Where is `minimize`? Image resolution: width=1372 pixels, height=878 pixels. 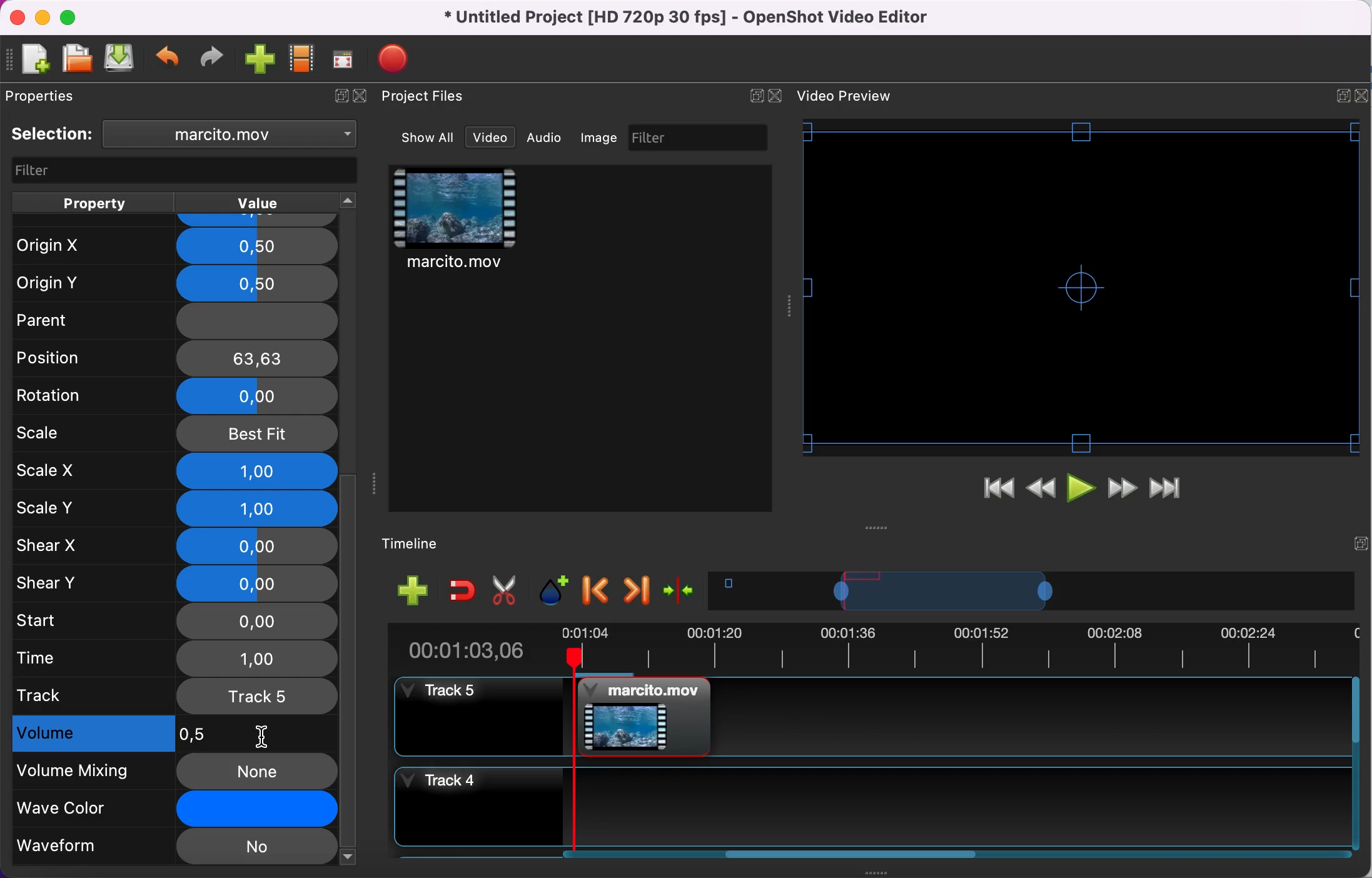
minimize is located at coordinates (42, 17).